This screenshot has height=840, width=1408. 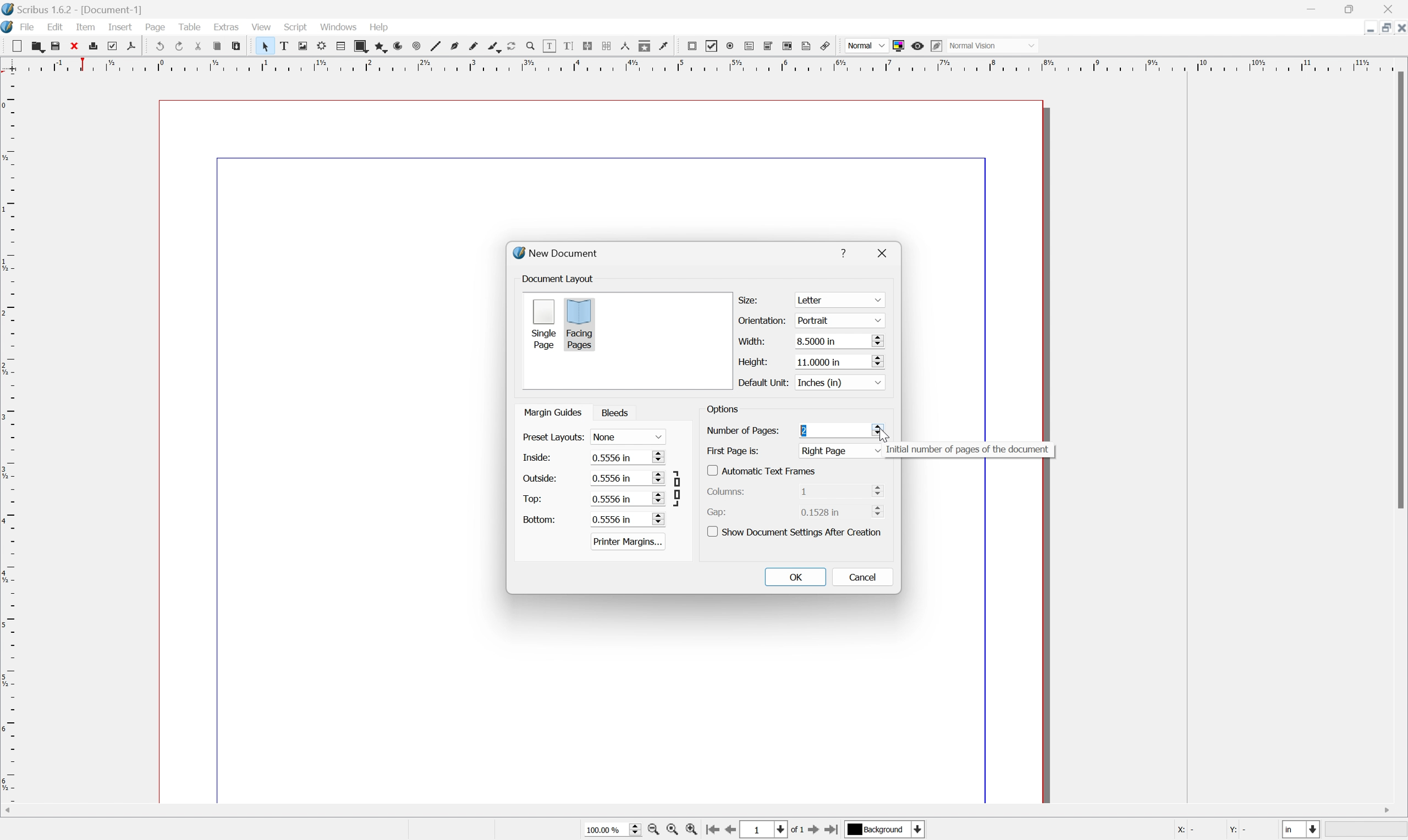 I want to click on Preflight verifier, so click(x=117, y=46).